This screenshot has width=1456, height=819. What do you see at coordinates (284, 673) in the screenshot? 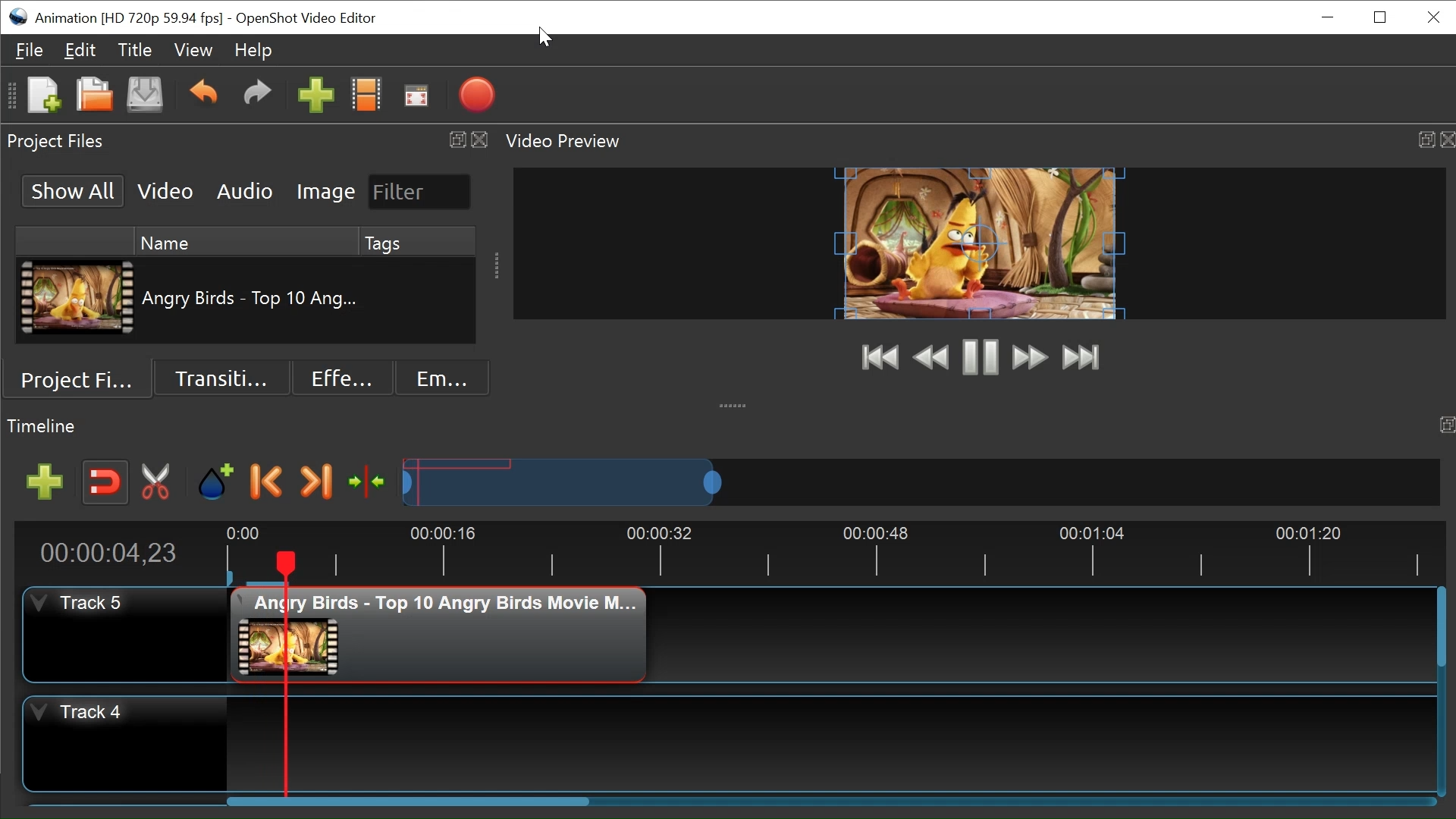
I see `Playhead` at bounding box center [284, 673].